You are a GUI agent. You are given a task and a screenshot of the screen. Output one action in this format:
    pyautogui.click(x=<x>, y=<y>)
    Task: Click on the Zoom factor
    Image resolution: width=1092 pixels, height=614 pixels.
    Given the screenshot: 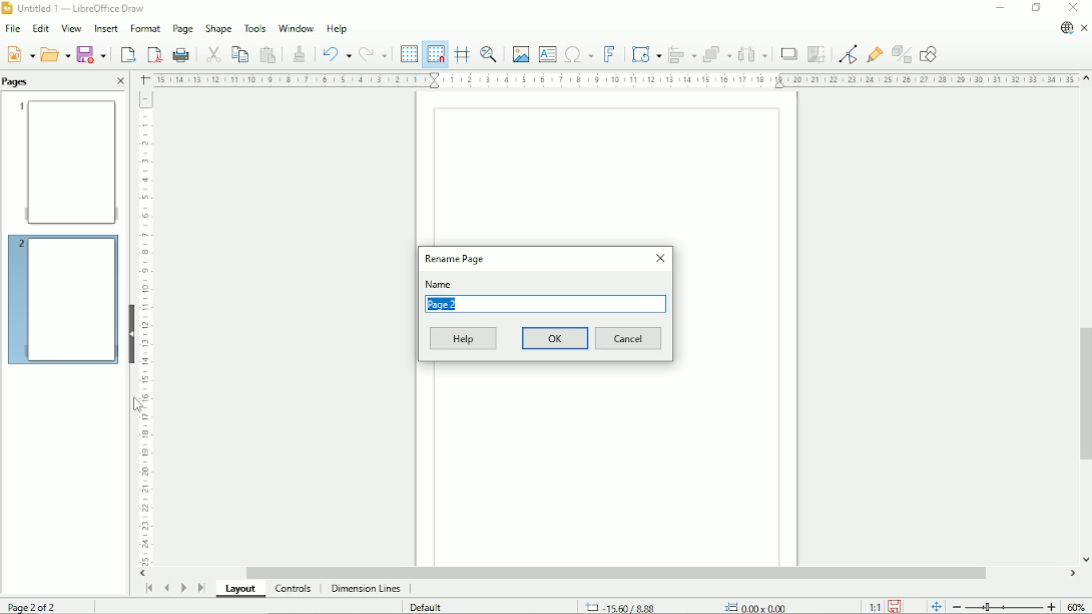 What is the action you would take?
    pyautogui.click(x=1077, y=606)
    